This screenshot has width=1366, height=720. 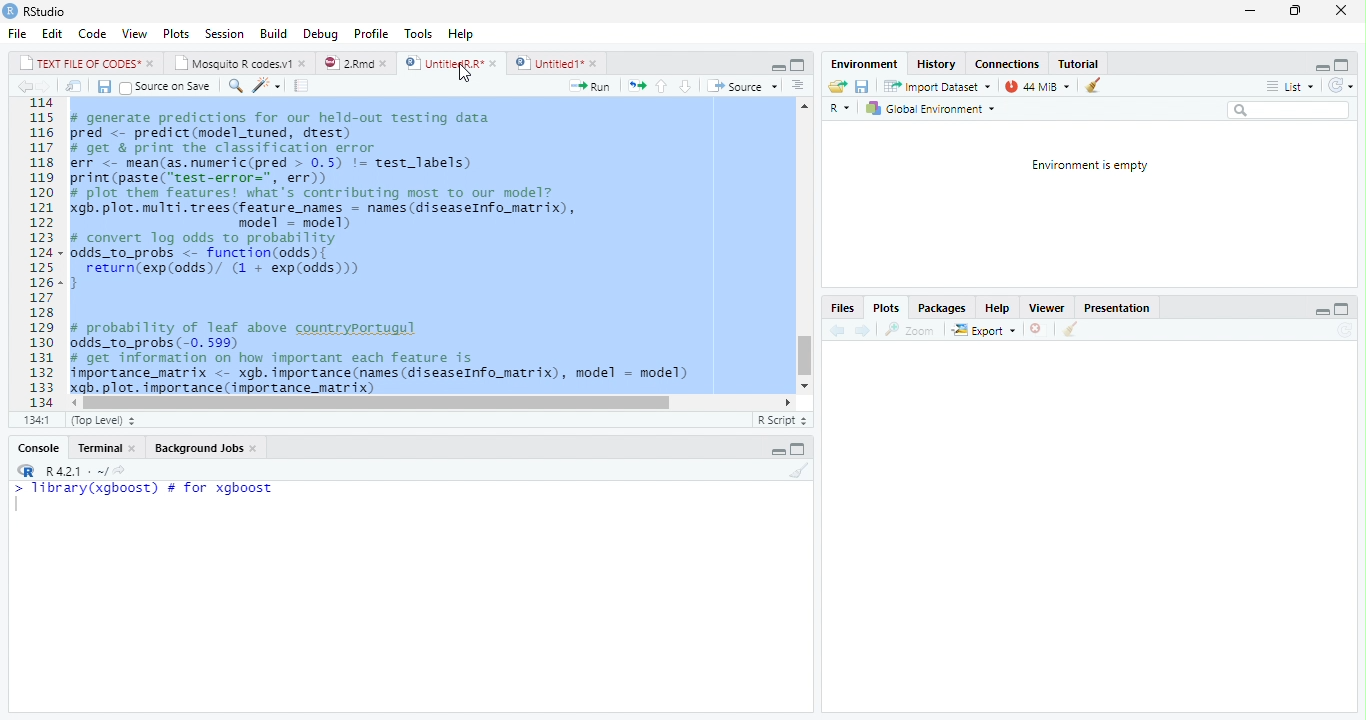 I want to click on Clean, so click(x=1071, y=330).